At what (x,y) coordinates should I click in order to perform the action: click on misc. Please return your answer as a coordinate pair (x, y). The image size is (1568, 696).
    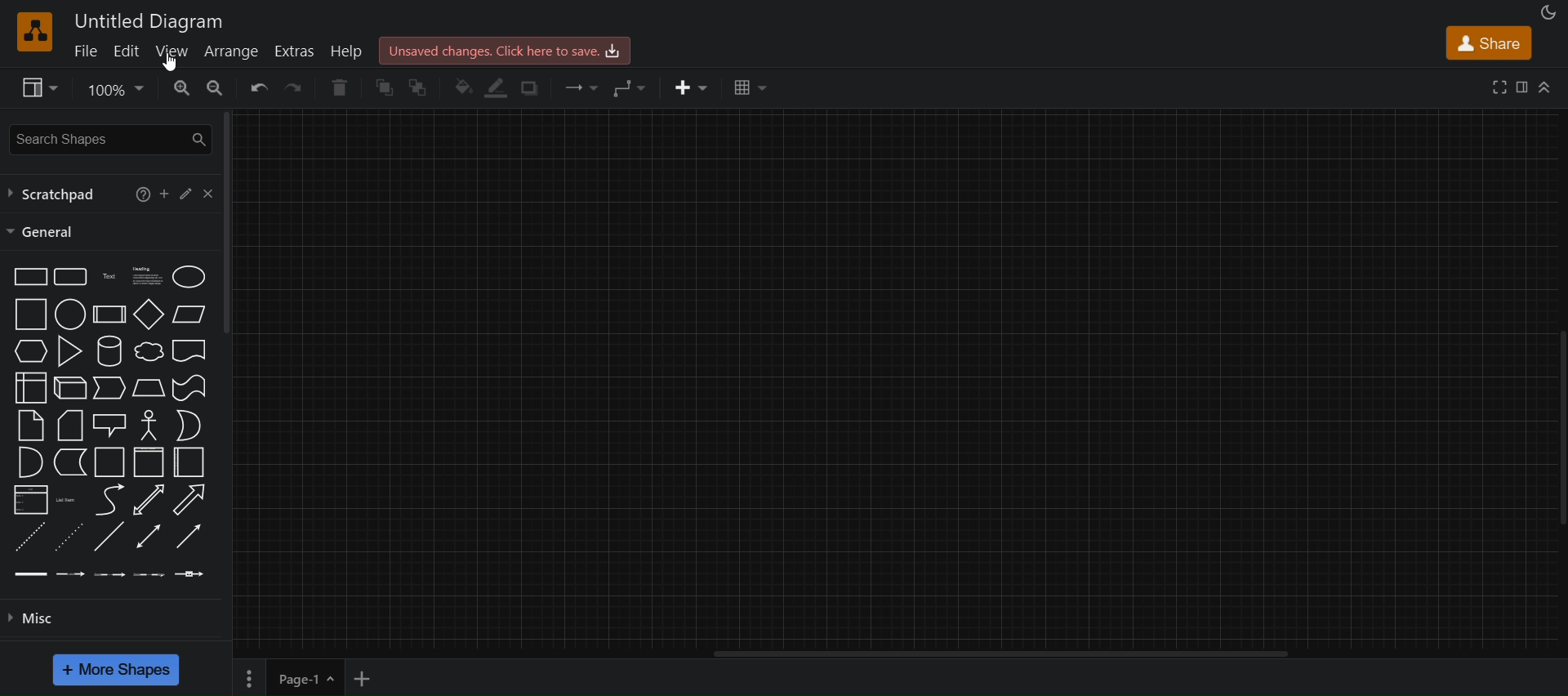
    Looking at the image, I should click on (114, 621).